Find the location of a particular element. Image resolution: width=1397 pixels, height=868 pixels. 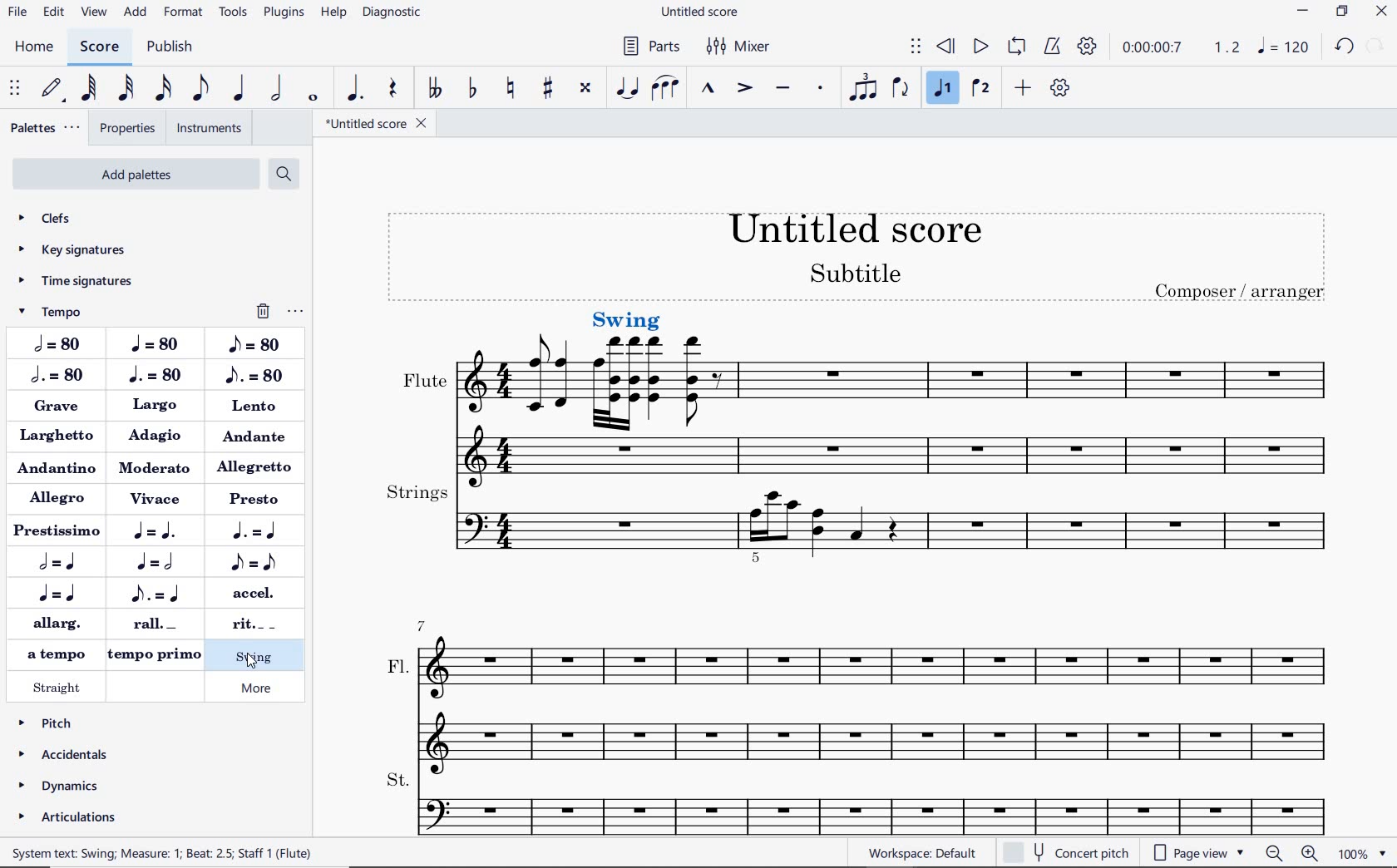

SWING RHYTHM ADDED is located at coordinates (627, 318).